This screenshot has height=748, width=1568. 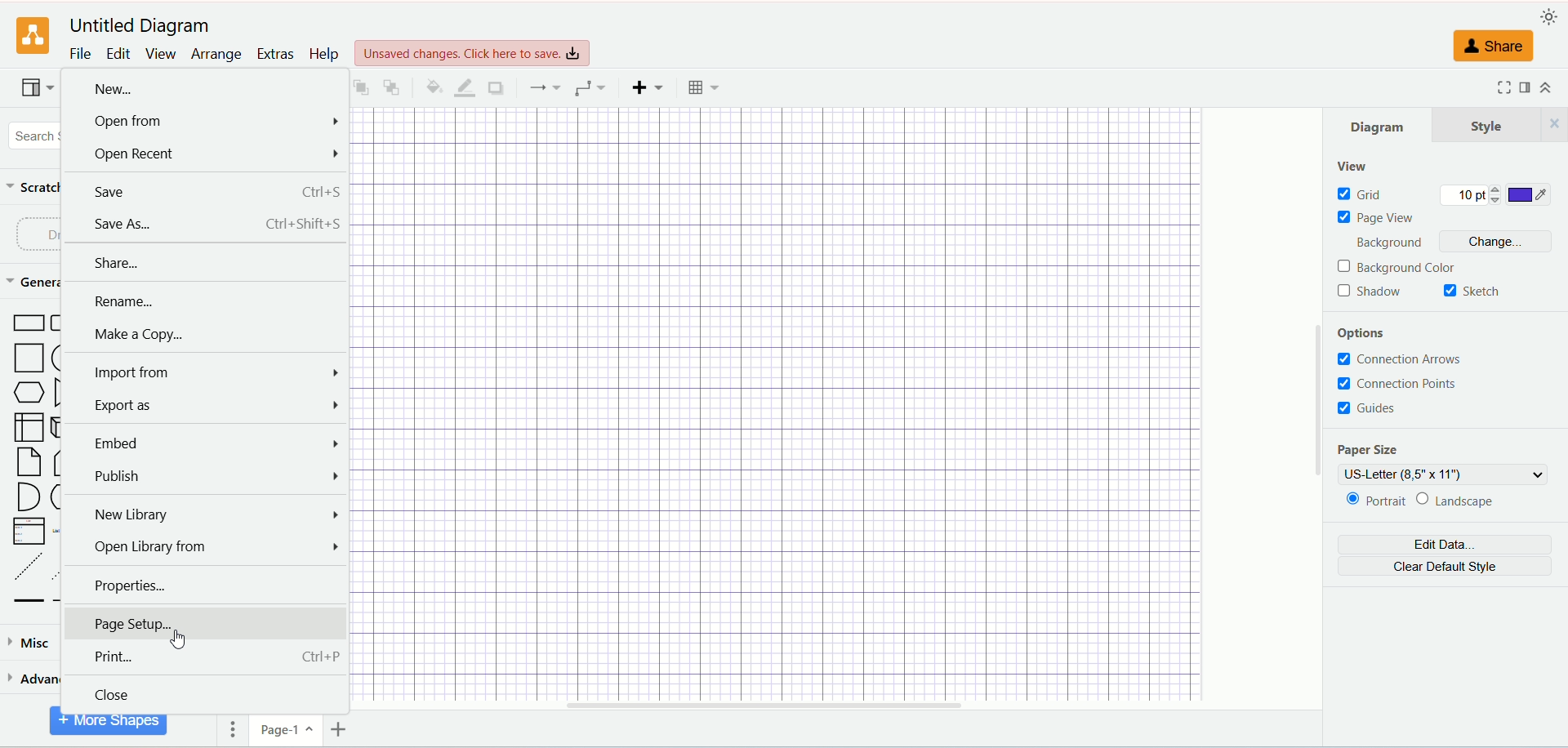 What do you see at coordinates (276, 52) in the screenshot?
I see `extras` at bounding box center [276, 52].